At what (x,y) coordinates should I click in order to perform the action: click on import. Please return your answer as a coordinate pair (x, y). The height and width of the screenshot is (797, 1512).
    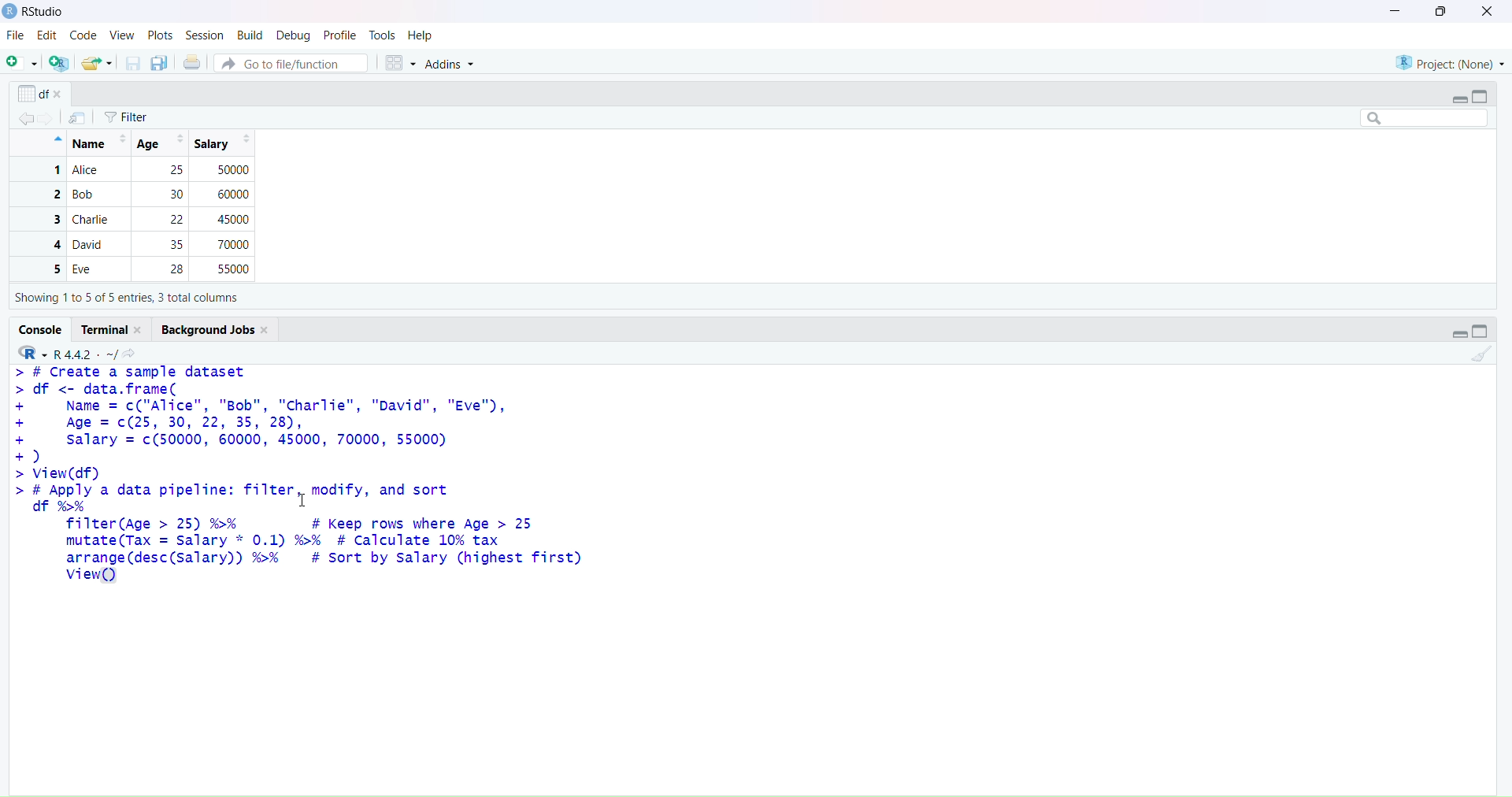
    Looking at the image, I should click on (78, 117).